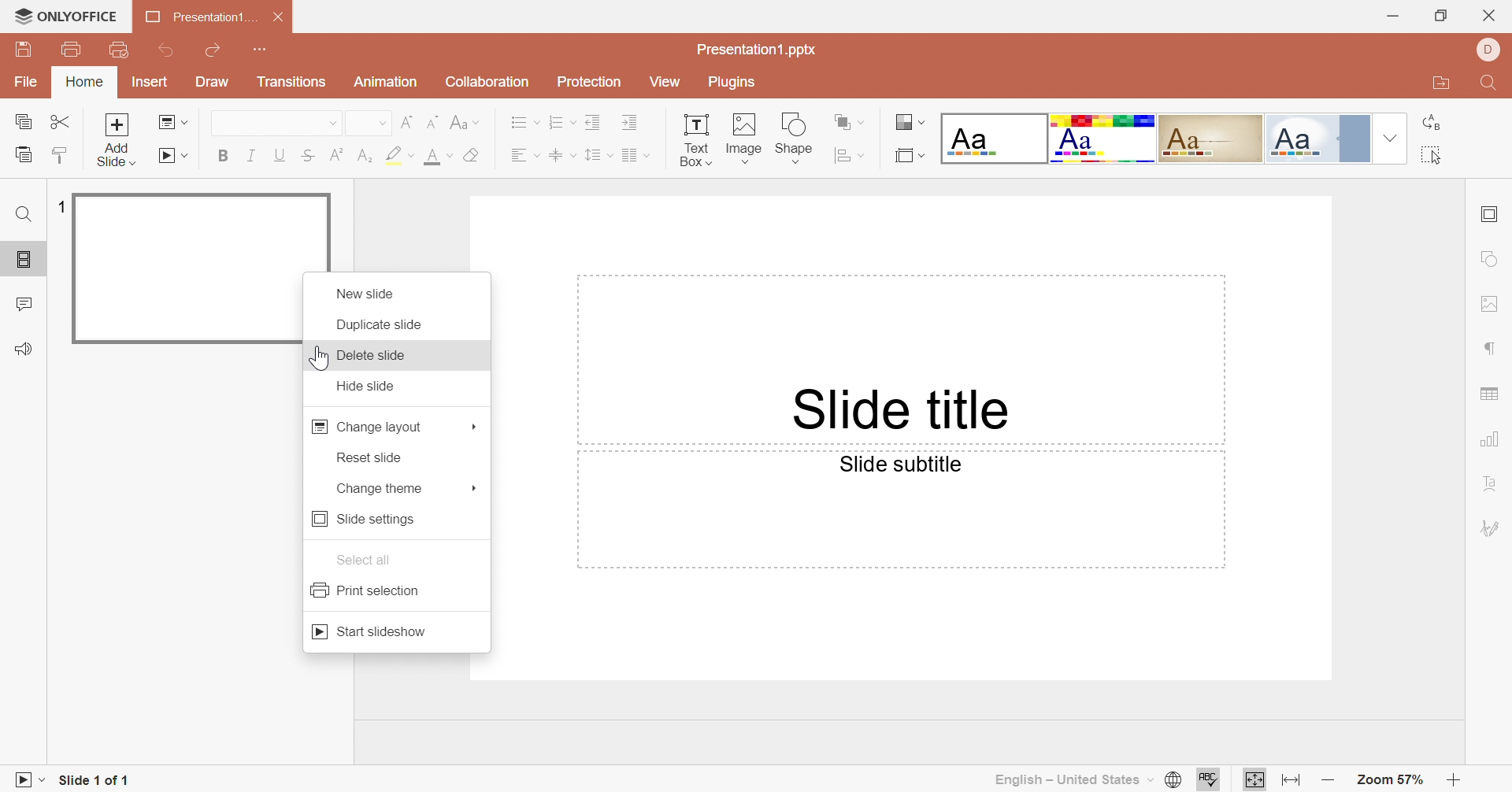 The image size is (1512, 792). I want to click on Copy, so click(23, 122).